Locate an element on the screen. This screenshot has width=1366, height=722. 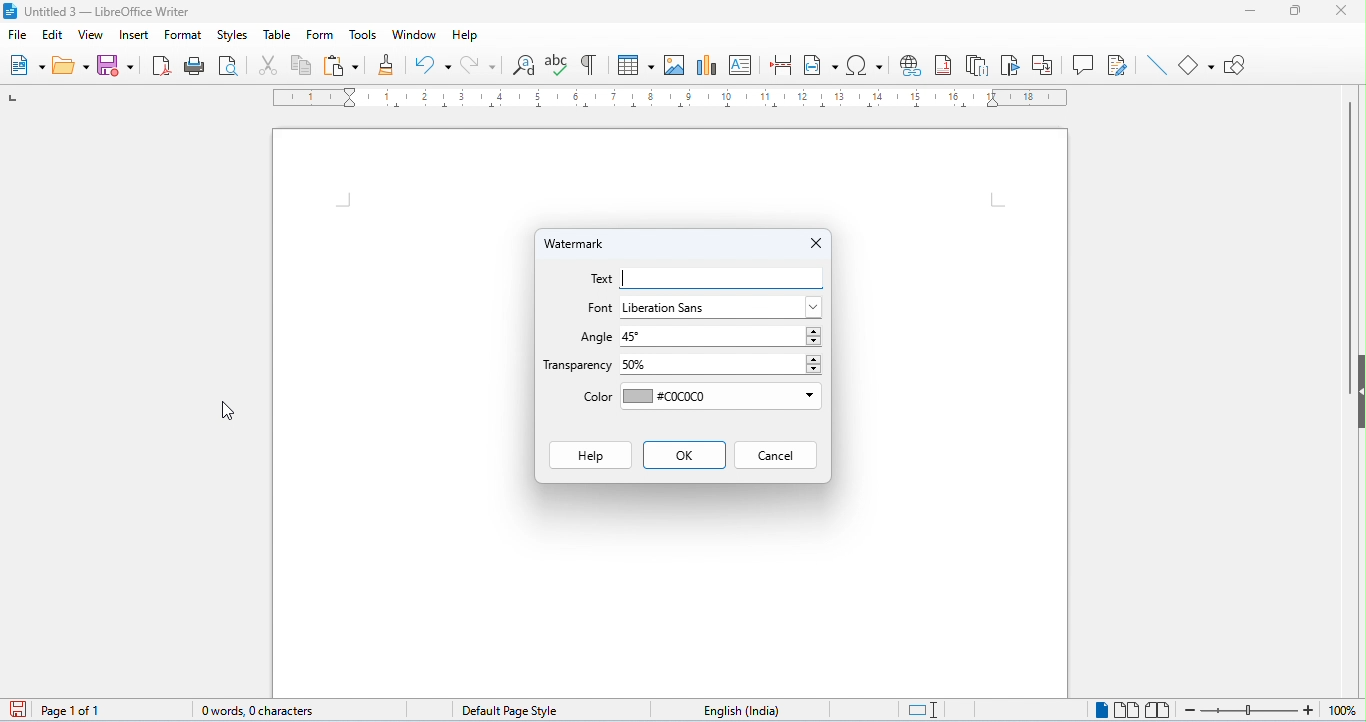
edit is located at coordinates (52, 35).